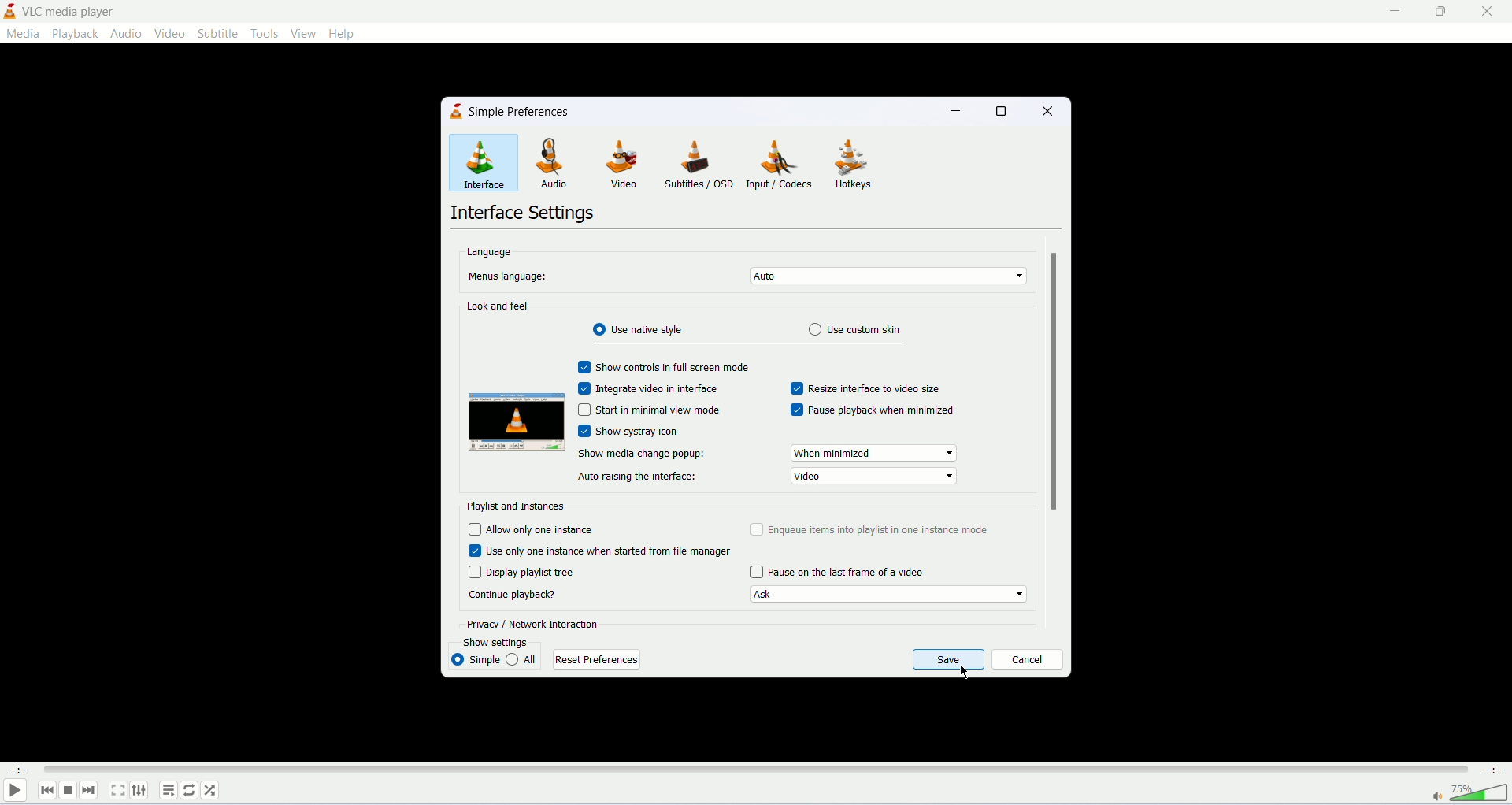 Image resolution: width=1512 pixels, height=805 pixels. Describe the element at coordinates (472, 551) in the screenshot. I see `Checbox` at that location.